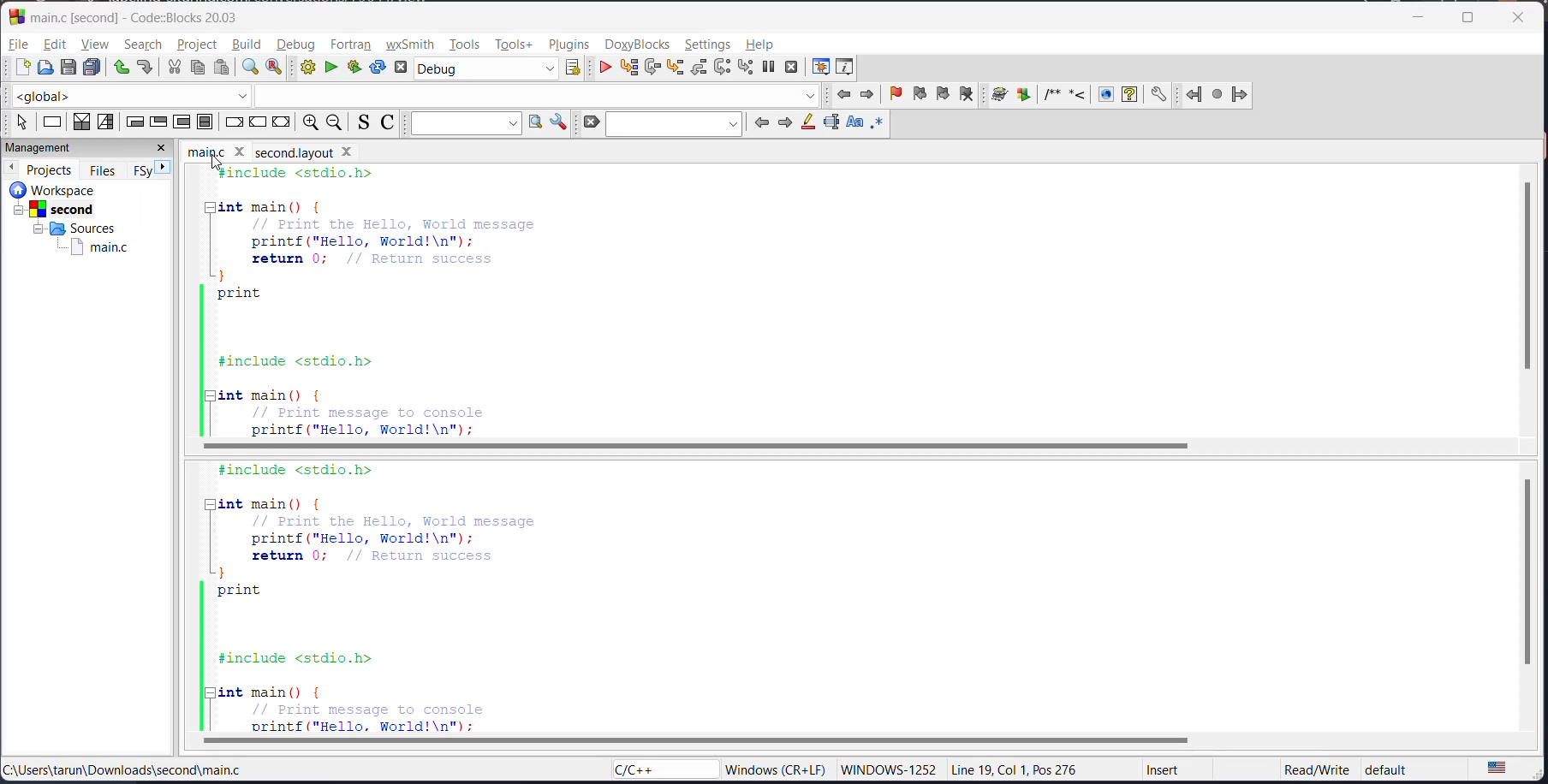  Describe the element at coordinates (675, 69) in the screenshot. I see `step into` at that location.